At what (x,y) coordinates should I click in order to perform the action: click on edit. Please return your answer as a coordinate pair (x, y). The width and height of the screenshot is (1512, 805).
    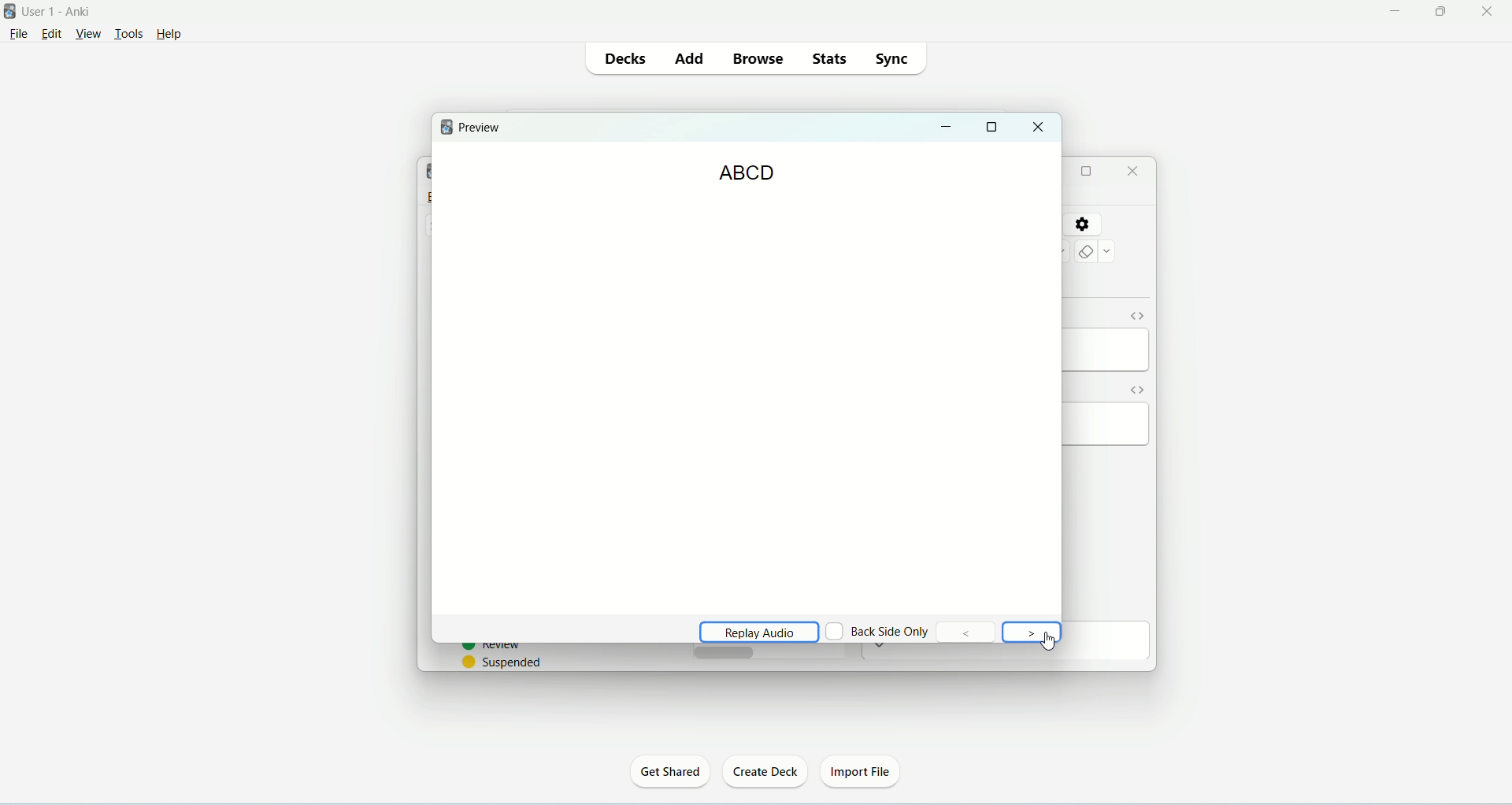
    Looking at the image, I should click on (56, 35).